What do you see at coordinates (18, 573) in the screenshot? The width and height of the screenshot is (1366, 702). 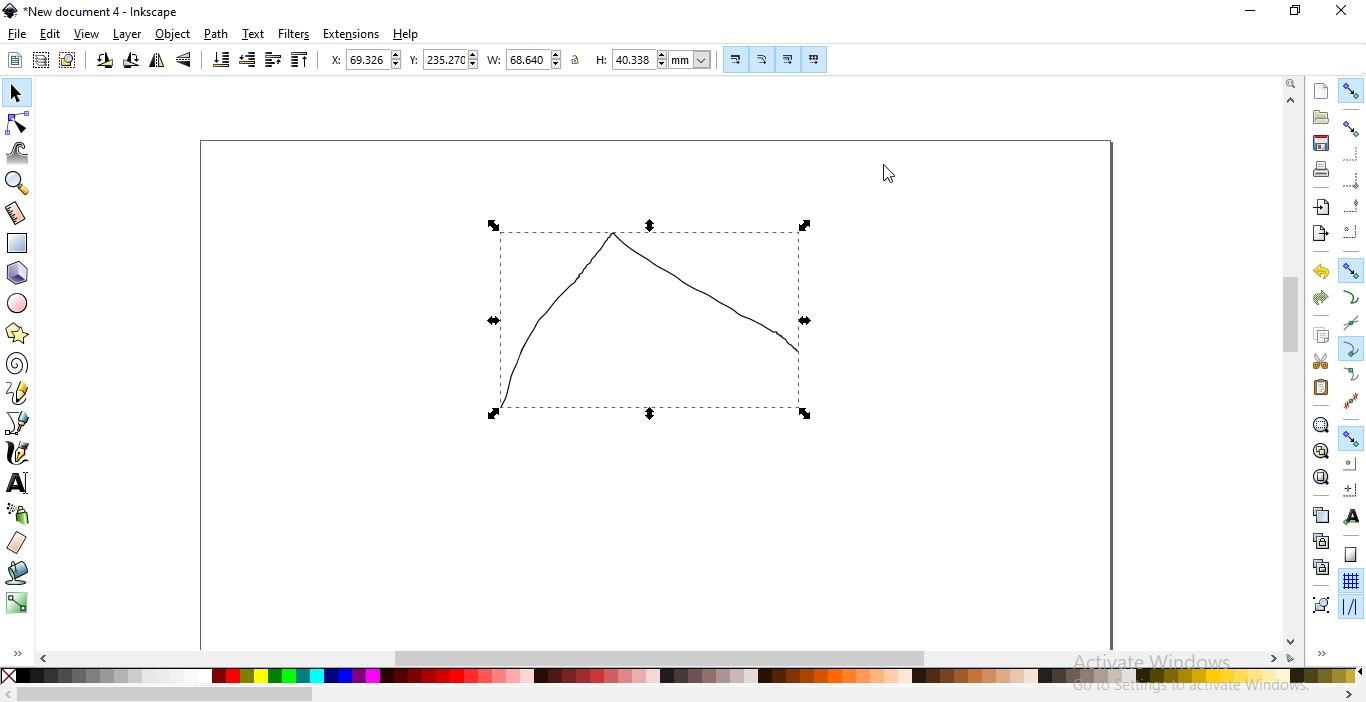 I see `fill bounded areas` at bounding box center [18, 573].